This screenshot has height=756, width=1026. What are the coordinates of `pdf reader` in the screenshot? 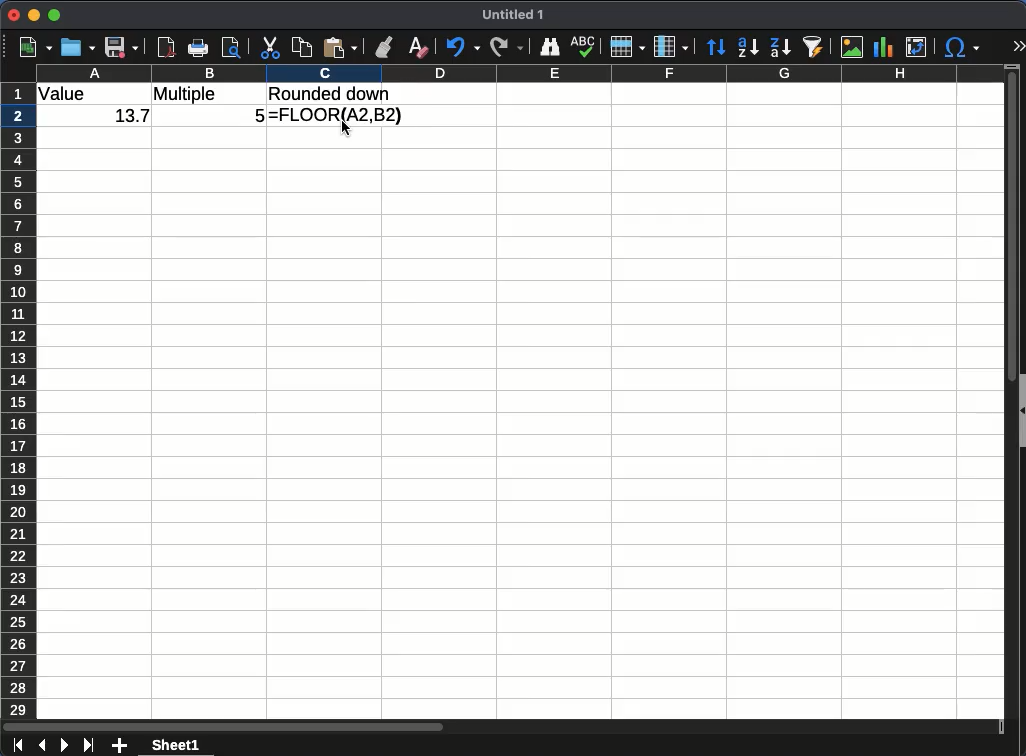 It's located at (166, 47).